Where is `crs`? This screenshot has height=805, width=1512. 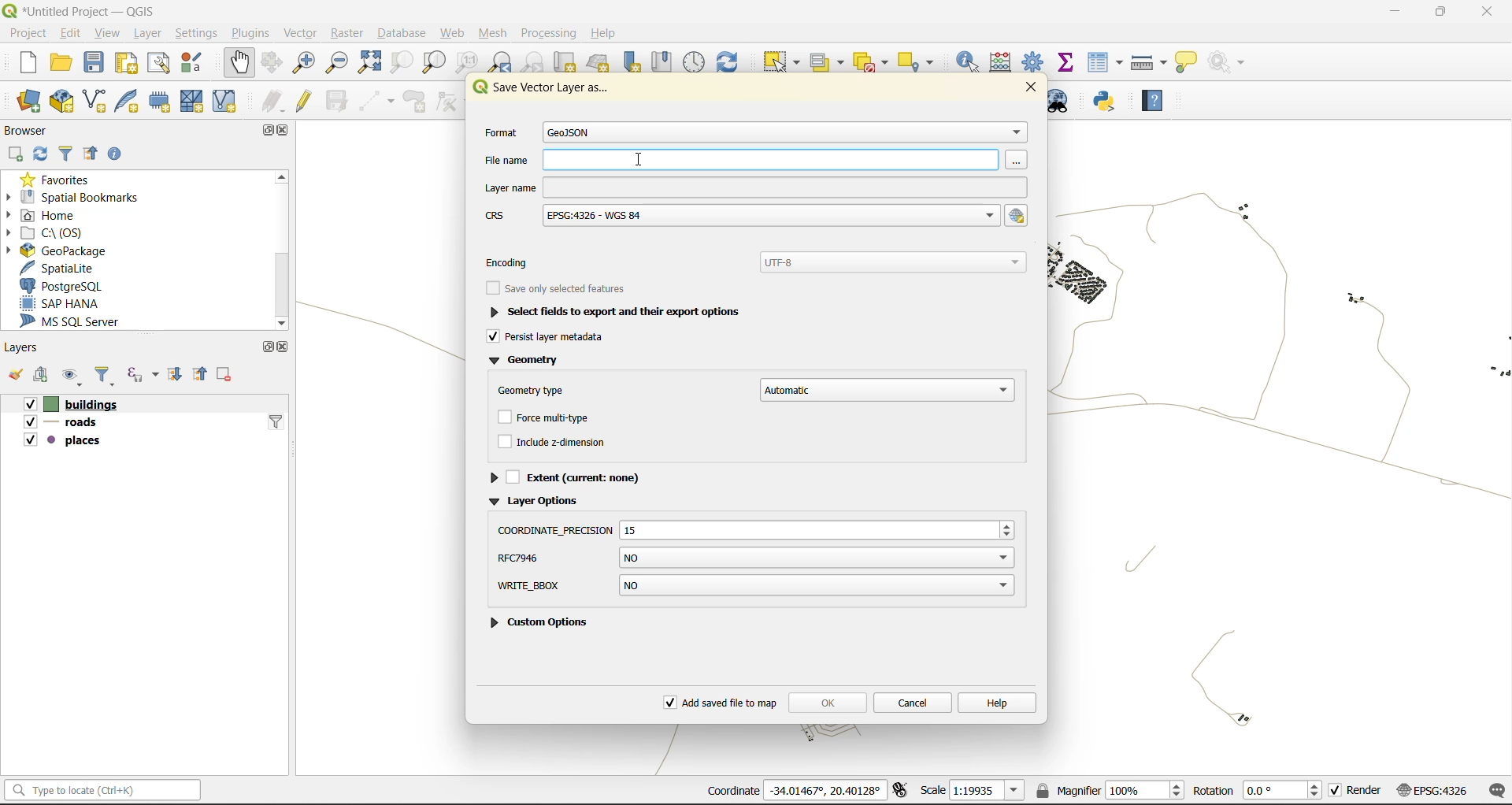 crs is located at coordinates (1435, 789).